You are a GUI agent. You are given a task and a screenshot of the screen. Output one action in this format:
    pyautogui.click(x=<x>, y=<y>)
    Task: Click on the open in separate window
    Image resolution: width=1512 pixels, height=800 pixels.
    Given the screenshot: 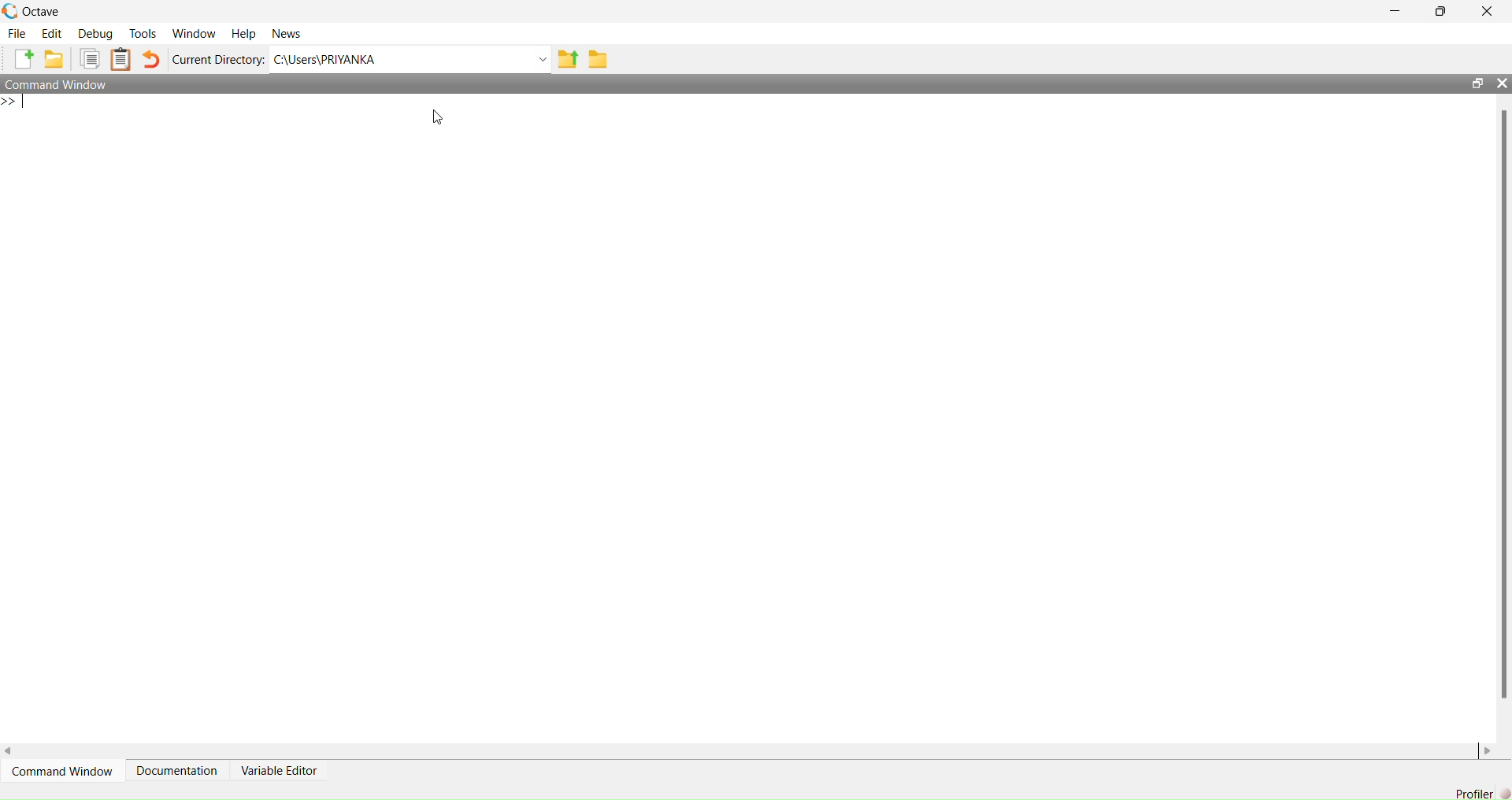 What is the action you would take?
    pyautogui.click(x=1478, y=83)
    